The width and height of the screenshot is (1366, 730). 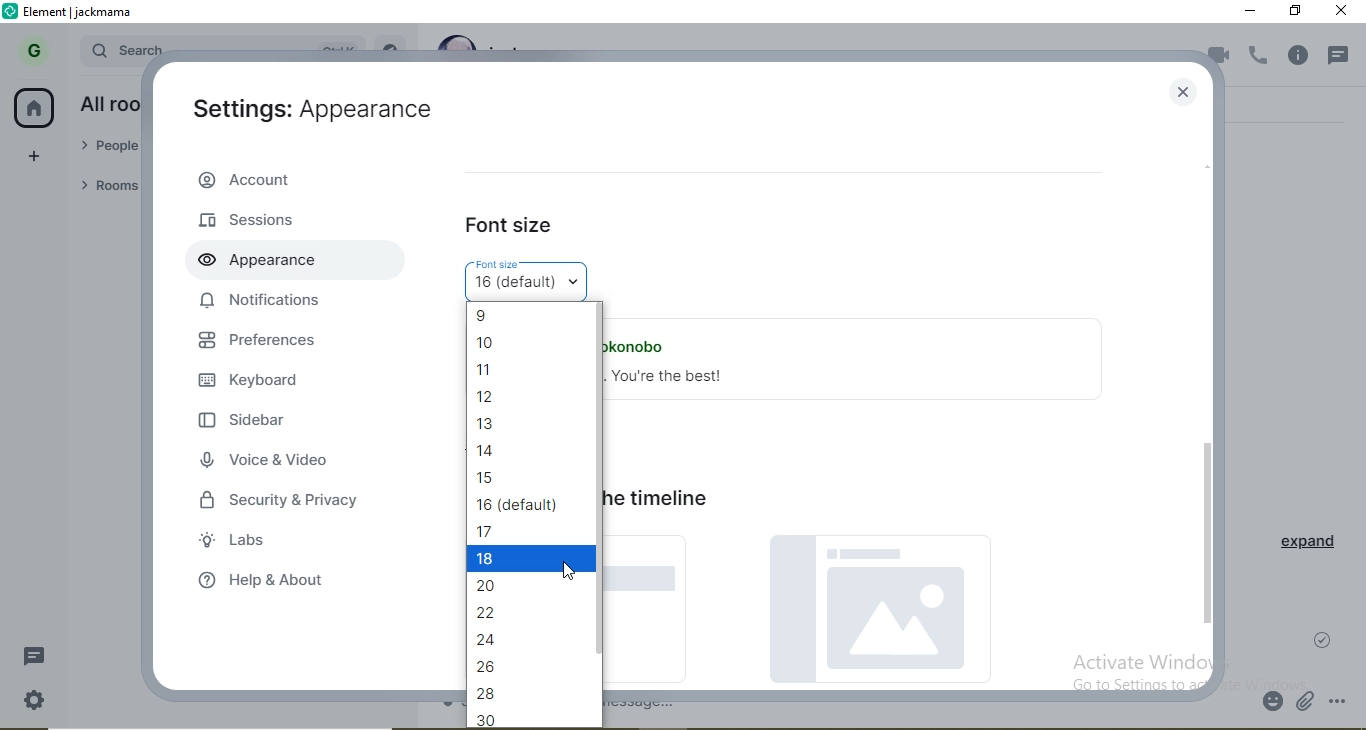 I want to click on G, so click(x=30, y=52).